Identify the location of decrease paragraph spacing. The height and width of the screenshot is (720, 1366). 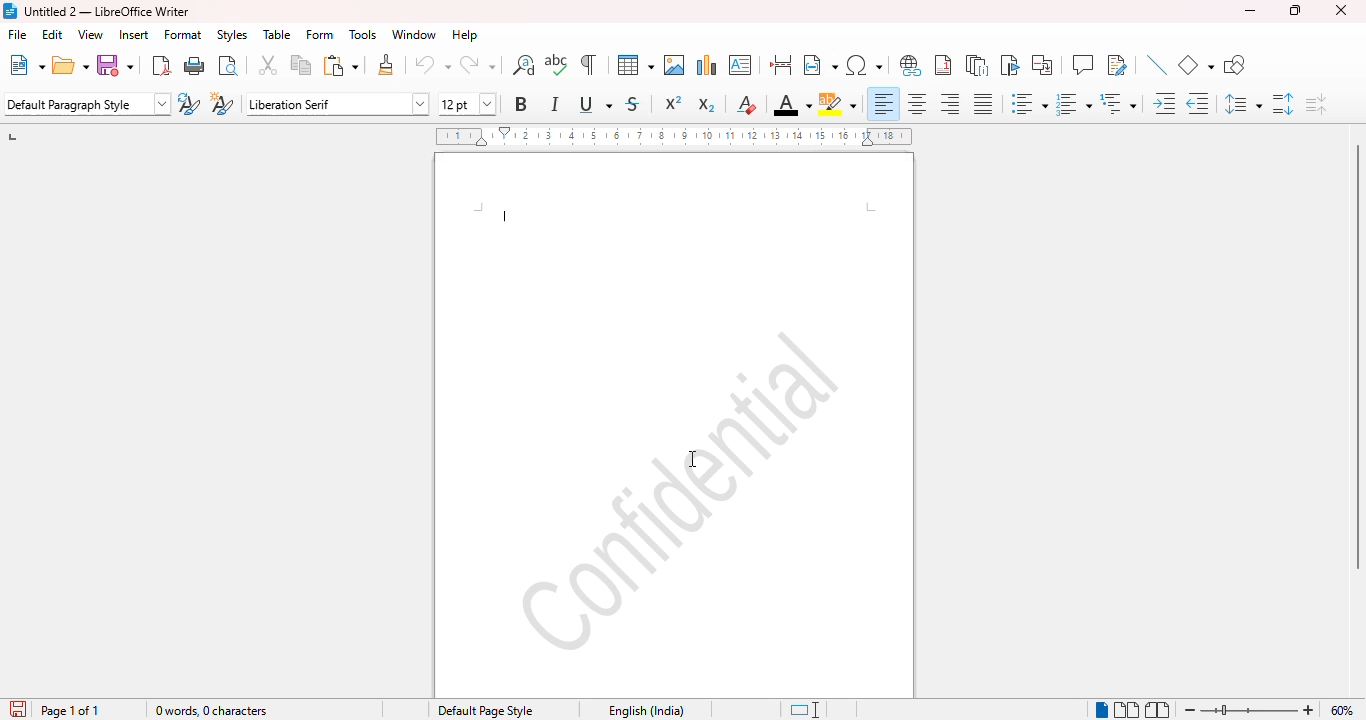
(1316, 105).